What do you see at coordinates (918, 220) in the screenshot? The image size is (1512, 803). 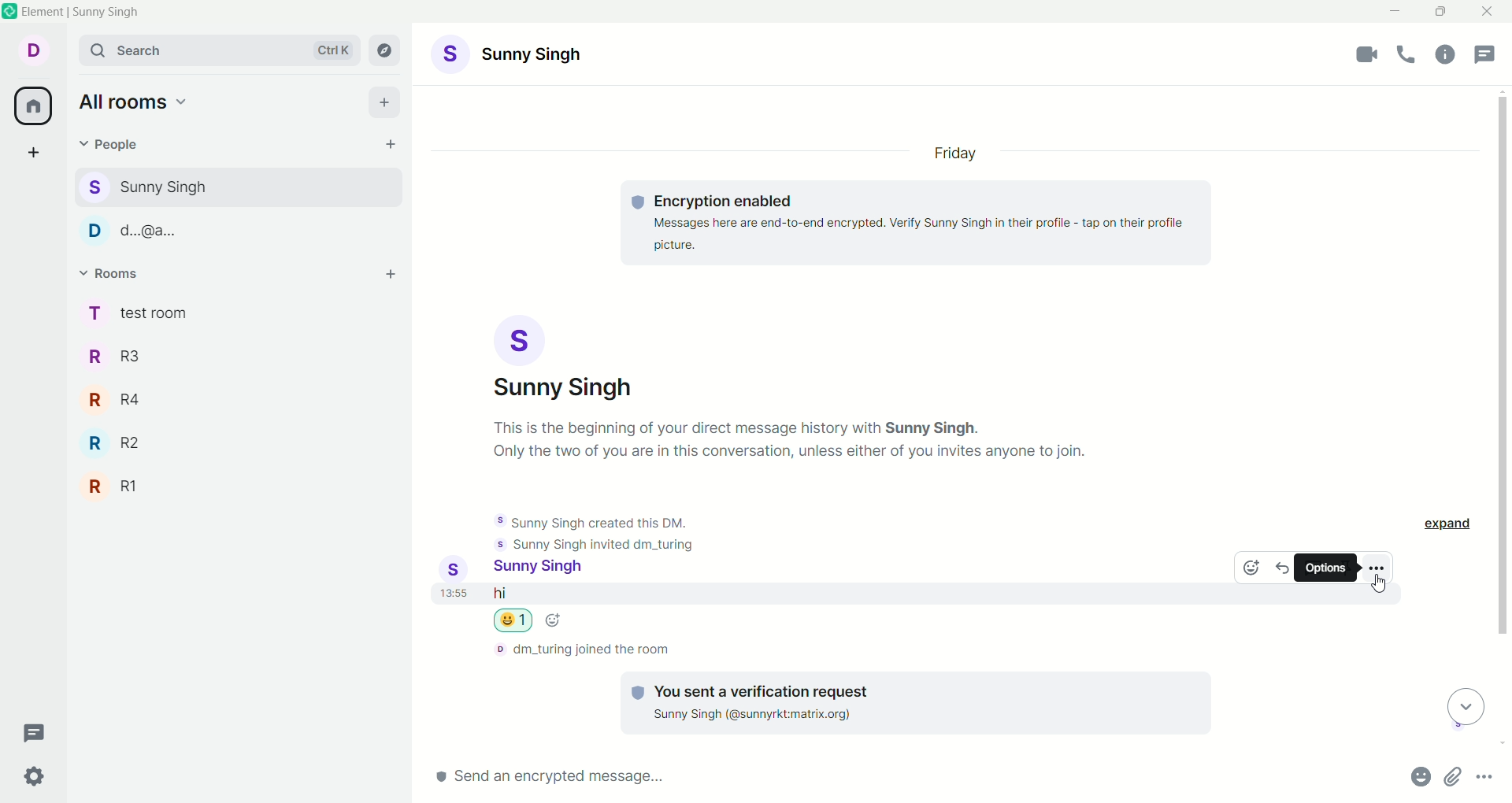 I see `text` at bounding box center [918, 220].